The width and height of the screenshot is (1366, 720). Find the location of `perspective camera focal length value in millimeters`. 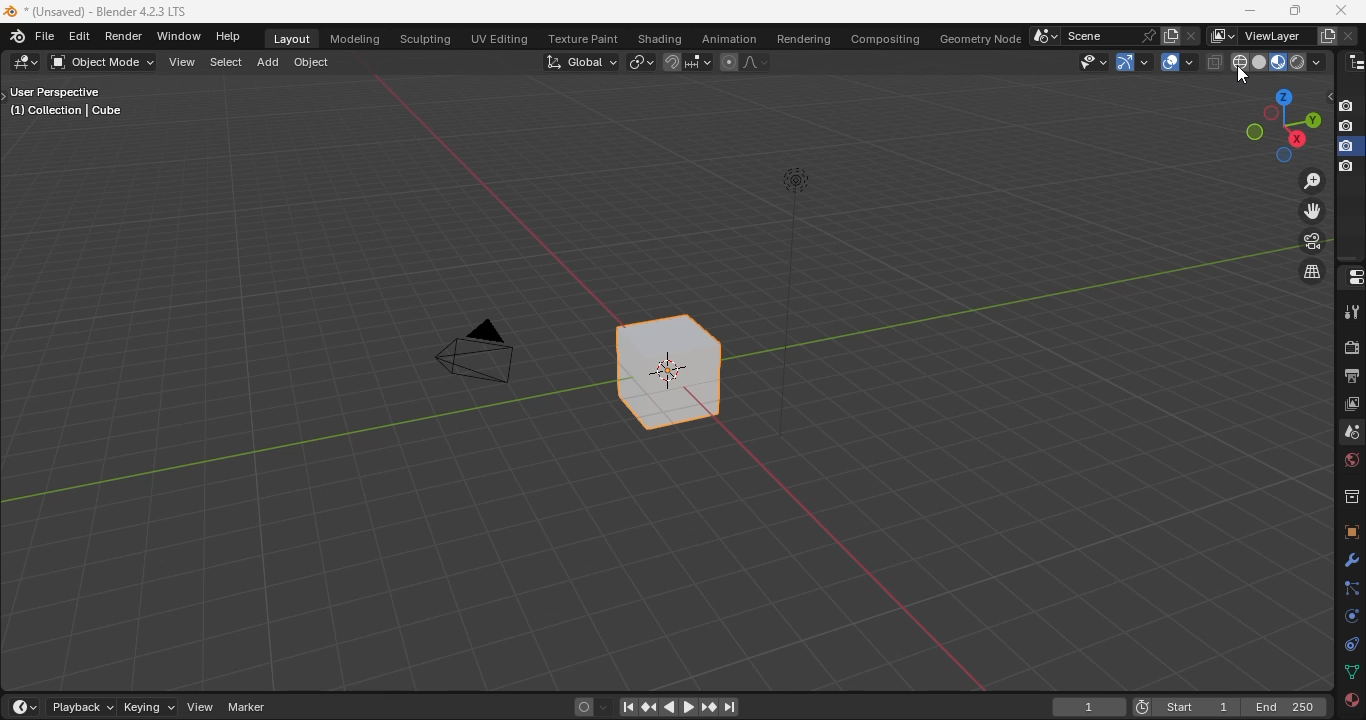

perspective camera focal length value in millimeters is located at coordinates (481, 350).